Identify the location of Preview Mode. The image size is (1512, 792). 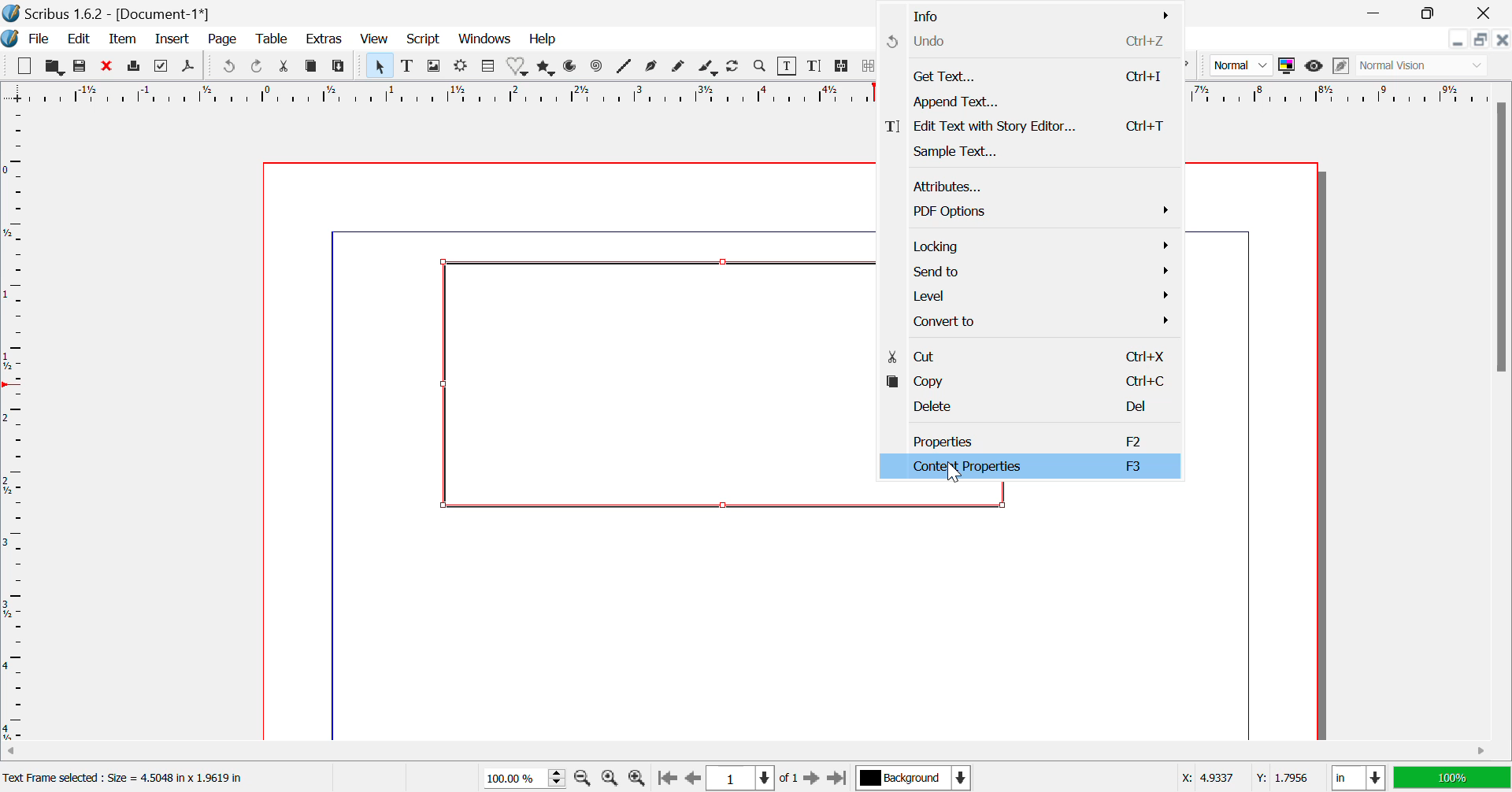
(1314, 68).